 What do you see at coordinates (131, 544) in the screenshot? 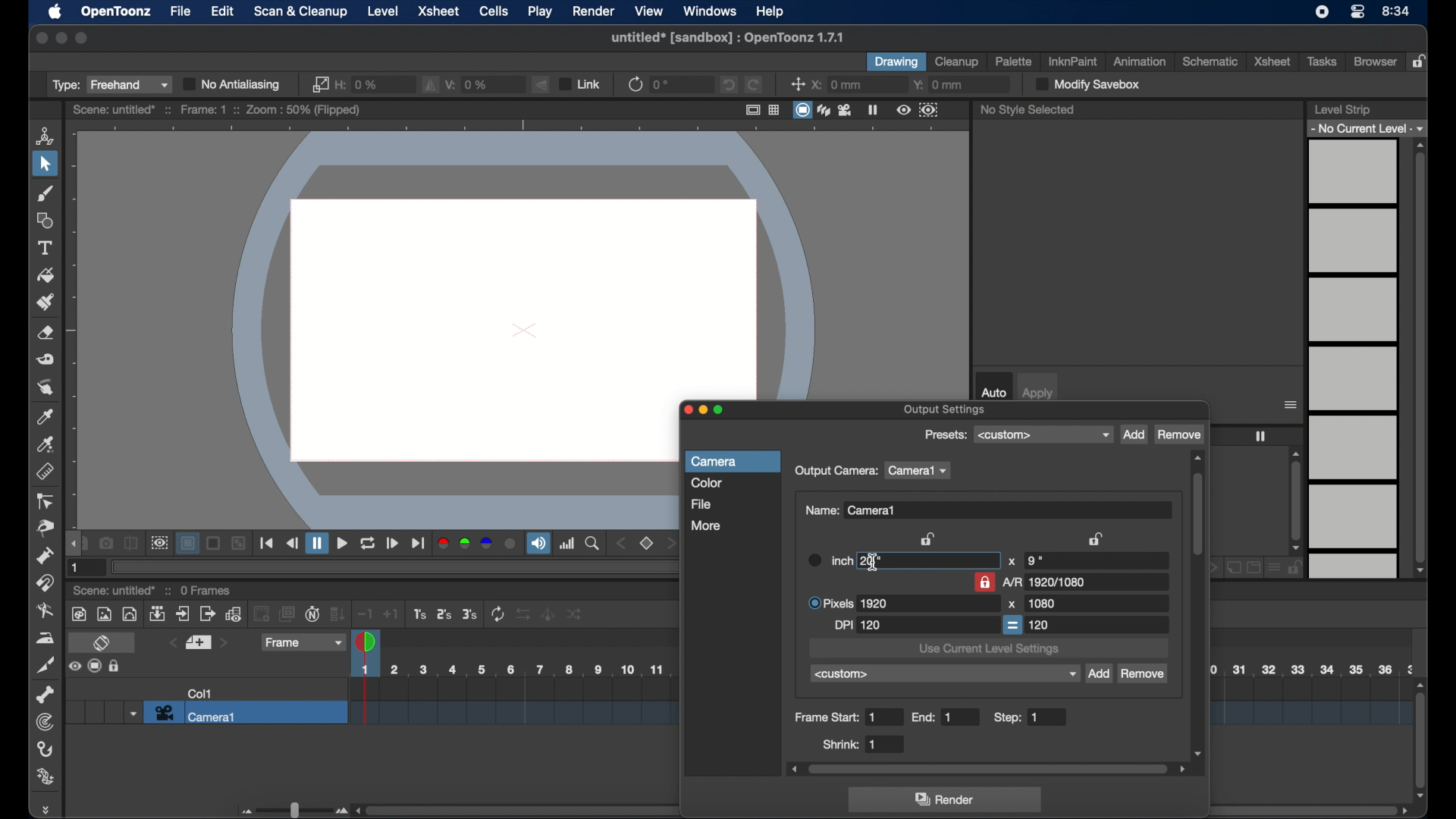
I see `compare to  snapshot` at bounding box center [131, 544].